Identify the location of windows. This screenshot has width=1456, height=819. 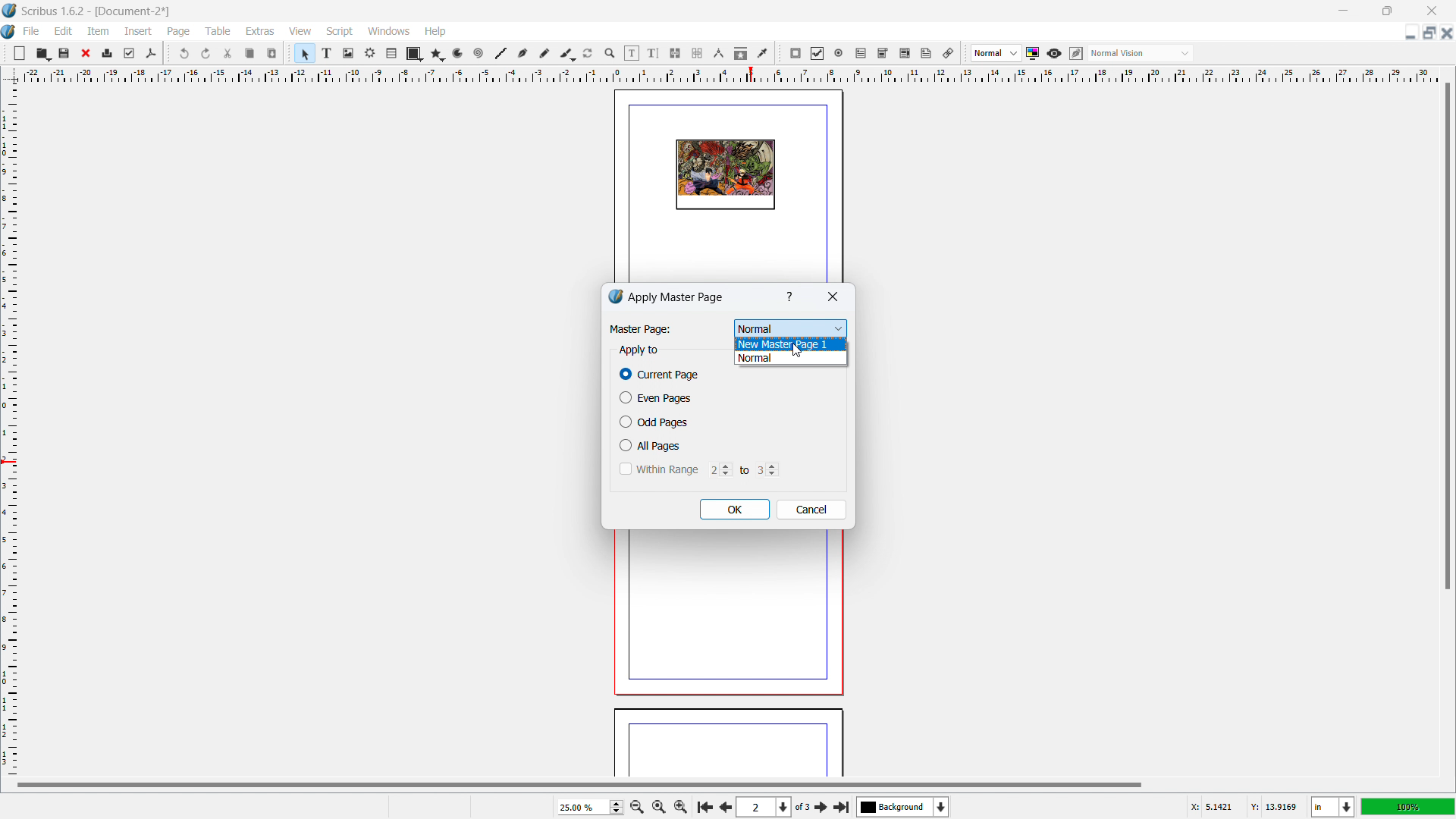
(390, 31).